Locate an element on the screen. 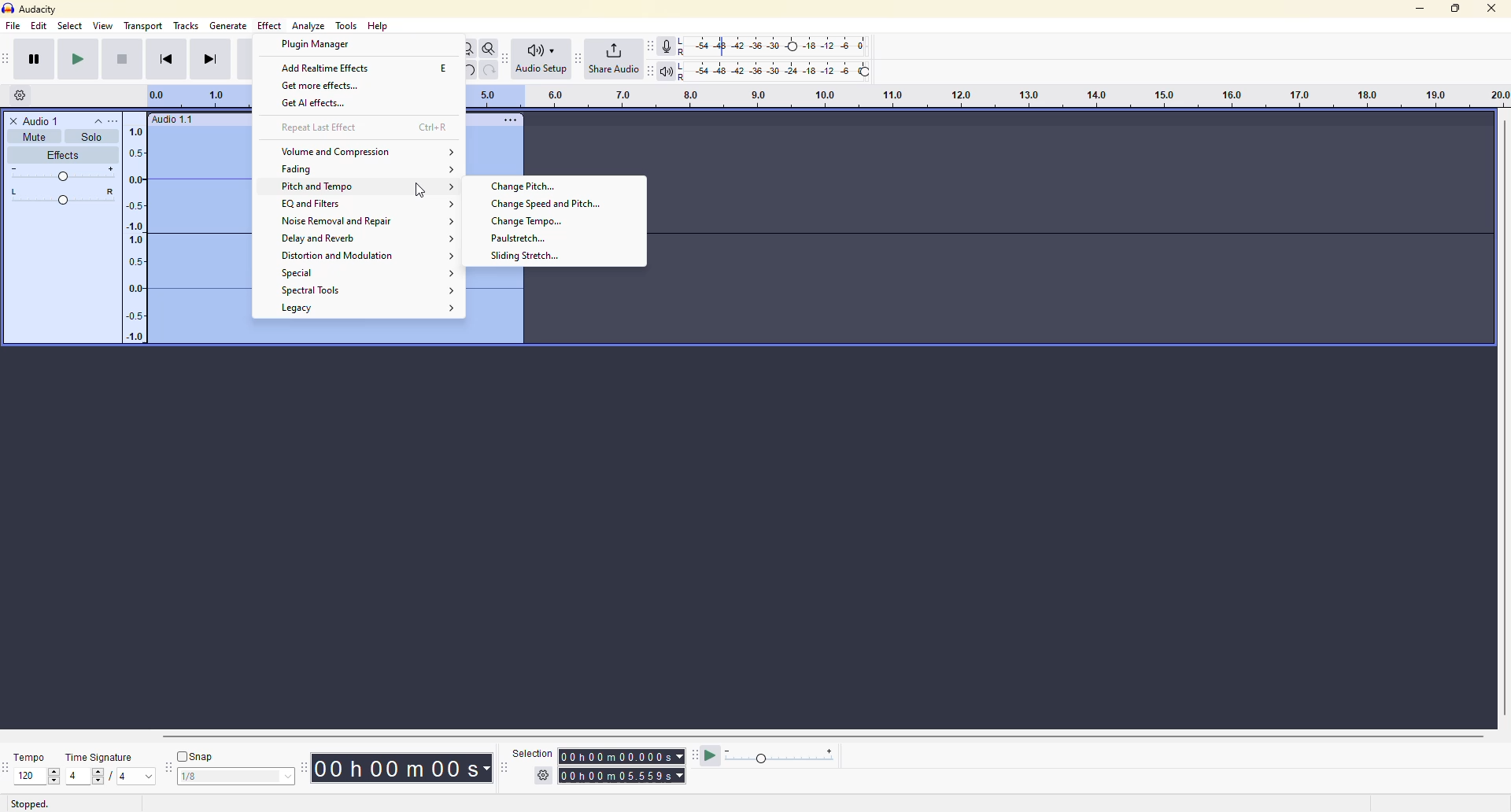 This screenshot has height=812, width=1511. 4 is located at coordinates (74, 776).